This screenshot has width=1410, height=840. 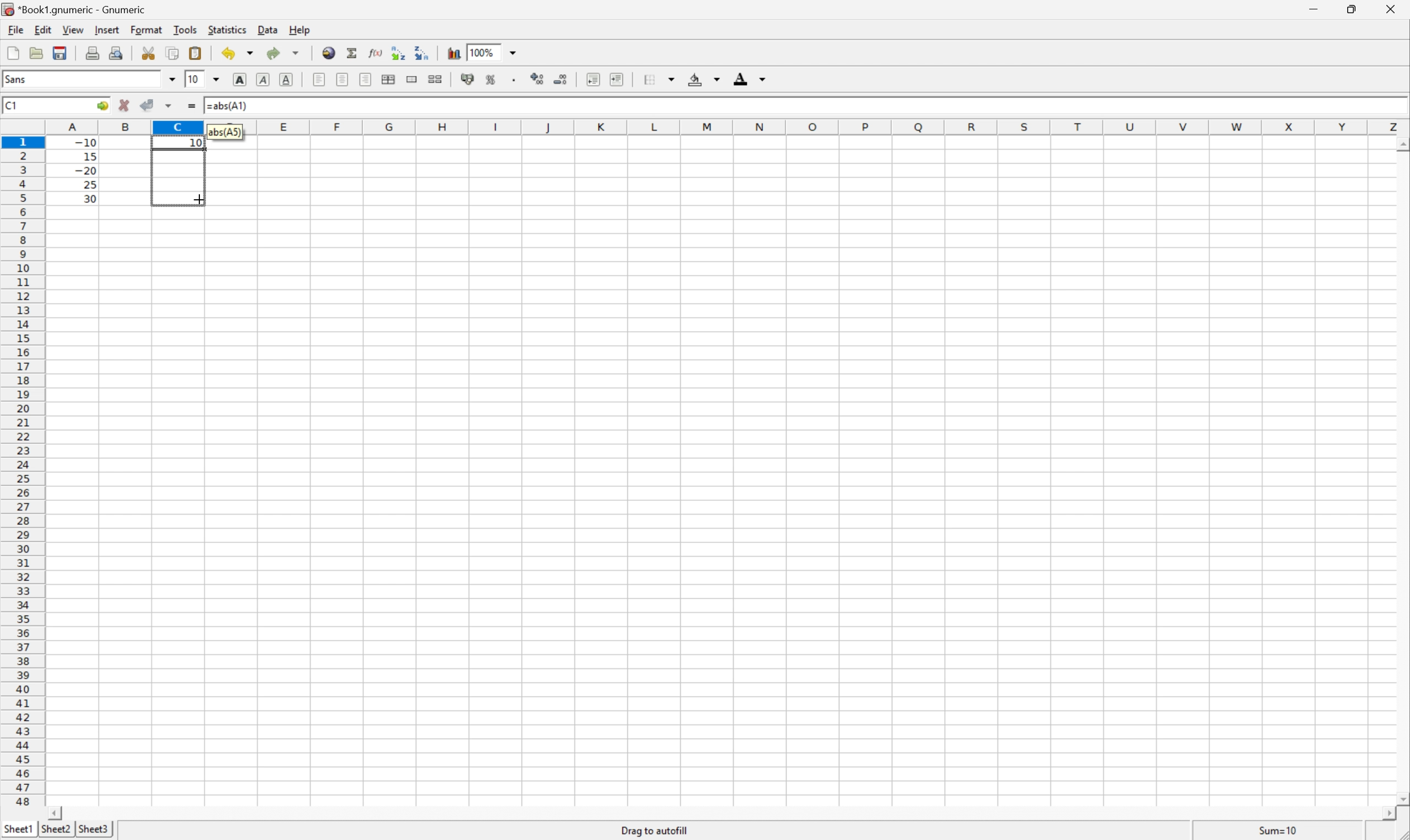 I want to click on 15, so click(x=87, y=155).